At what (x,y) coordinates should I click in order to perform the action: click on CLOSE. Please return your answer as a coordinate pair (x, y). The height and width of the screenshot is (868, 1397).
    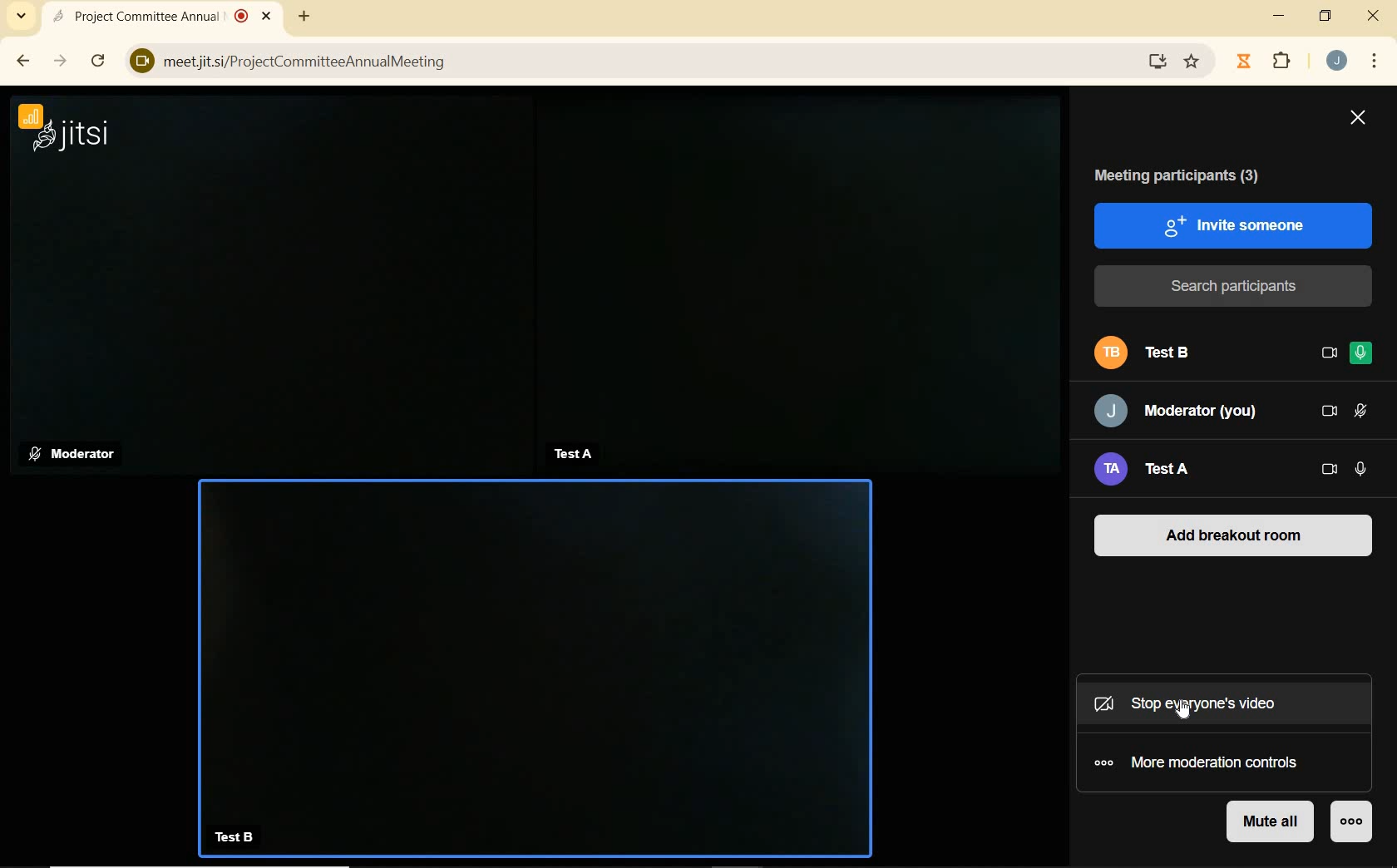
    Looking at the image, I should click on (1375, 16).